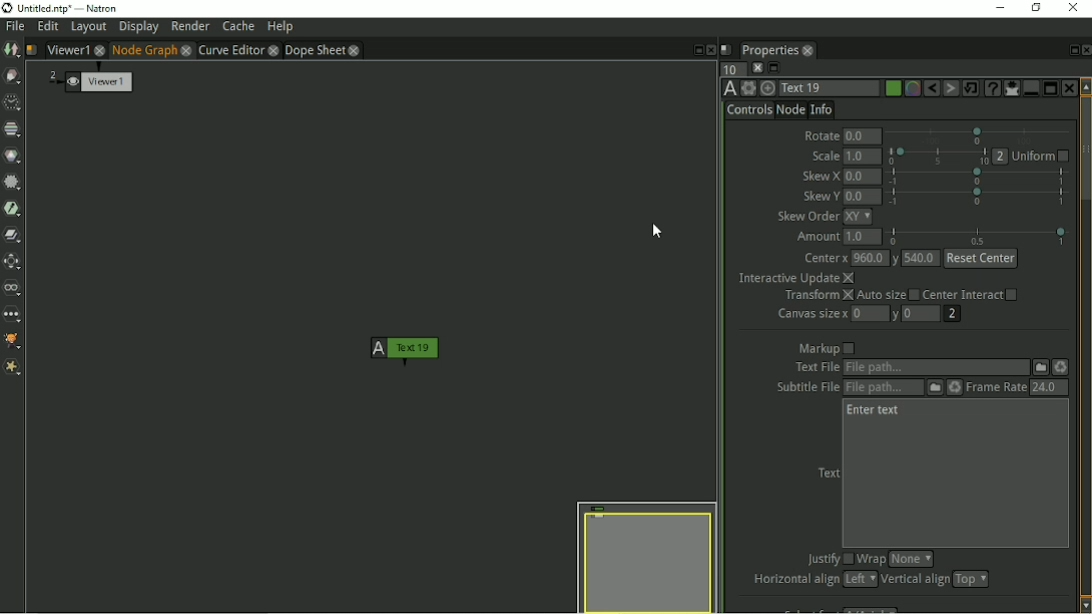  I want to click on selection bar, so click(980, 235).